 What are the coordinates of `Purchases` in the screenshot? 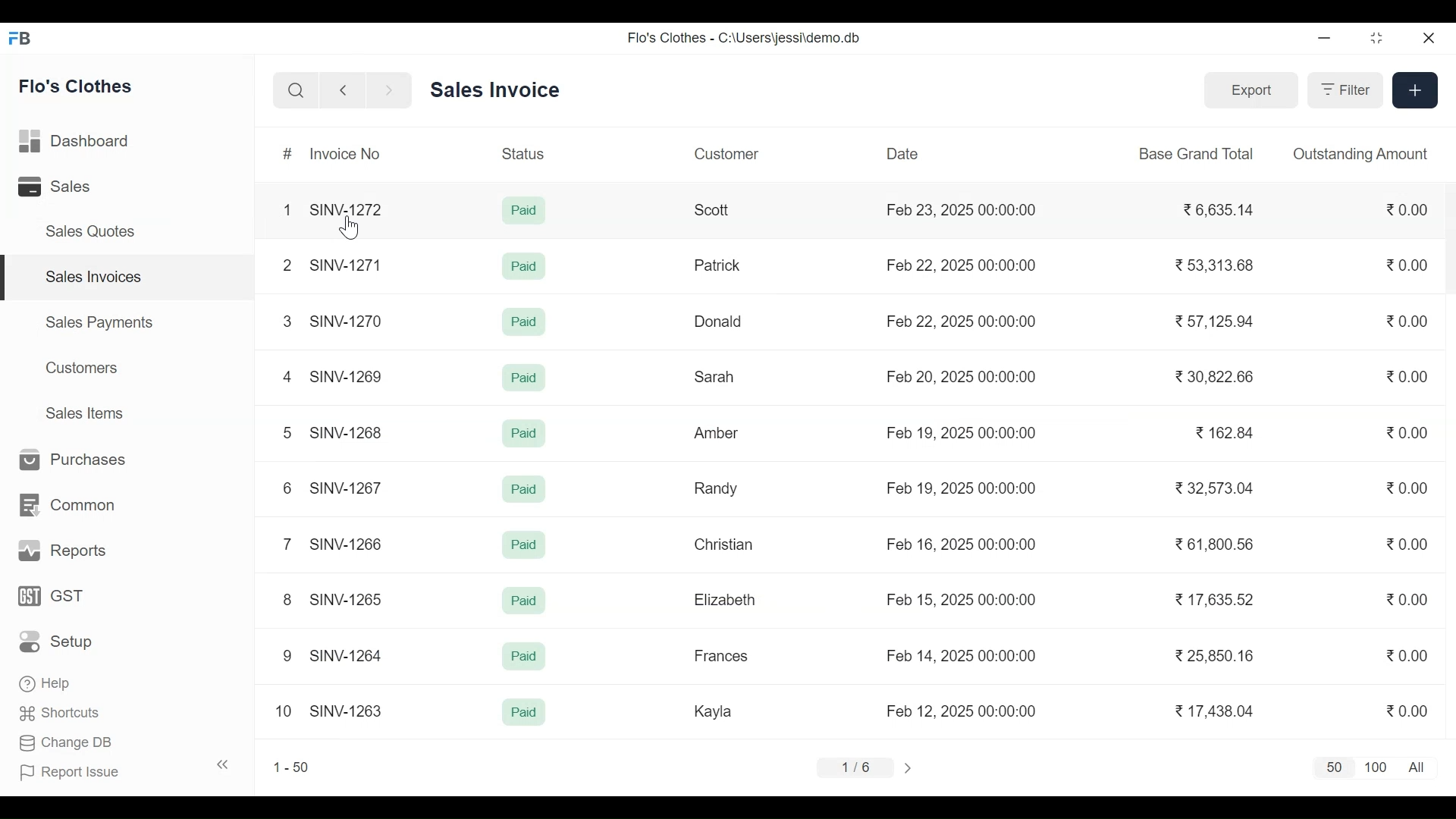 It's located at (74, 462).